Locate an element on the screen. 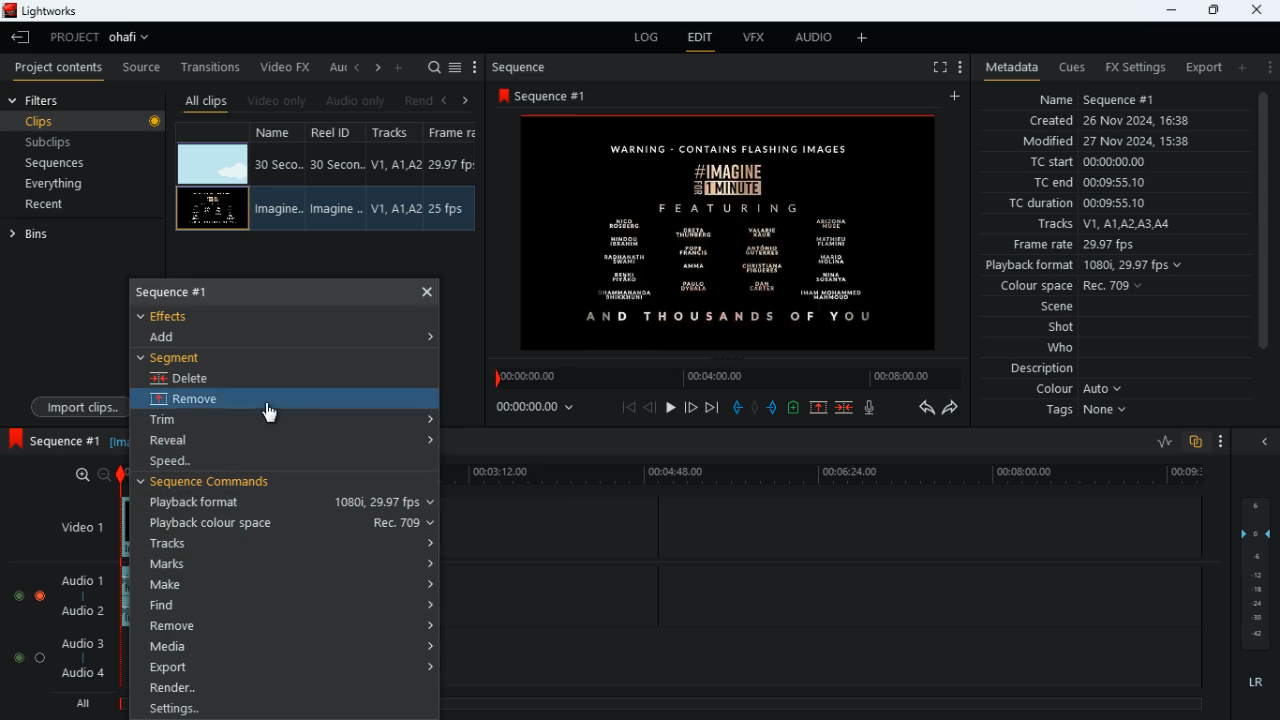 This screenshot has height=720, width=1280. make is located at coordinates (290, 584).